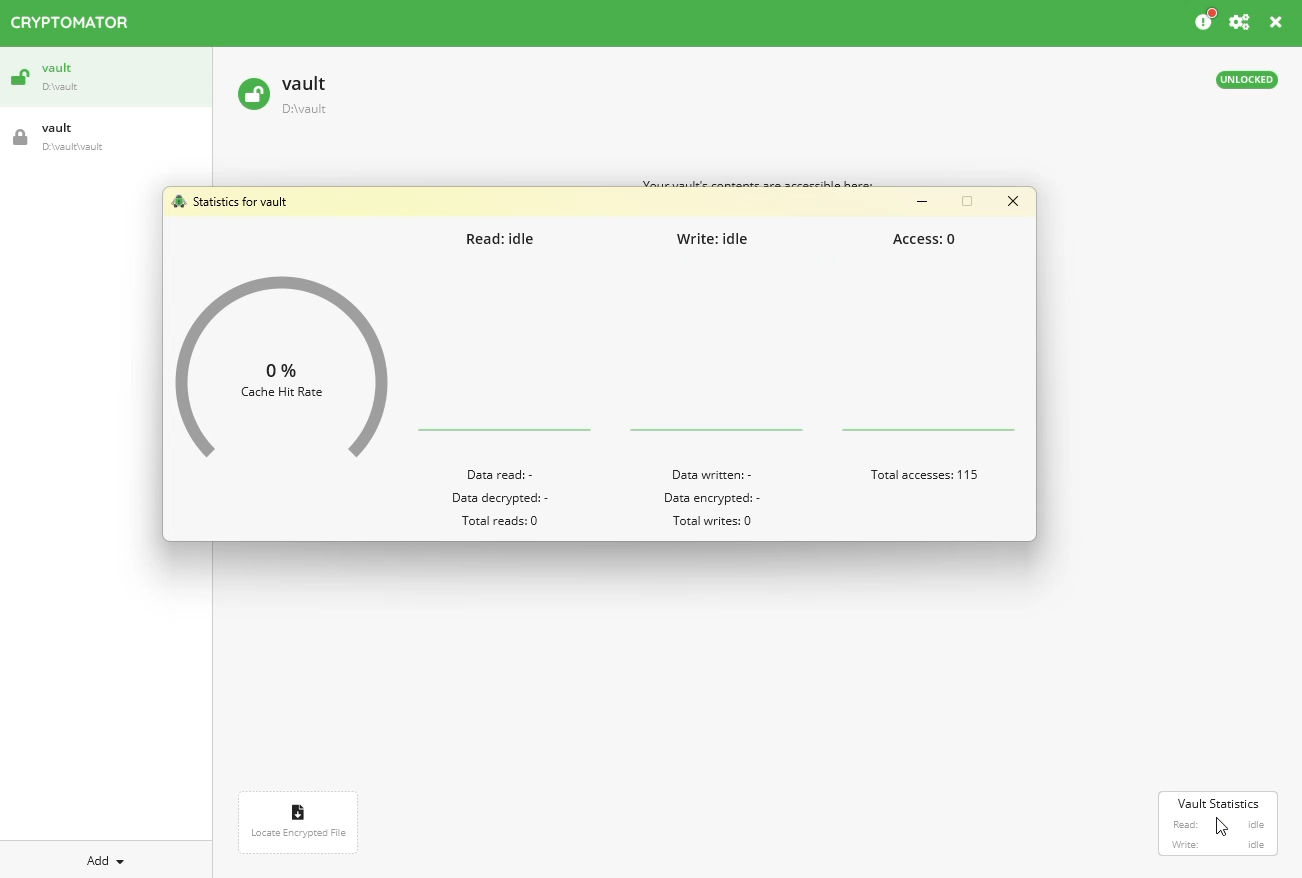  Describe the element at coordinates (968, 200) in the screenshot. I see `maximize` at that location.